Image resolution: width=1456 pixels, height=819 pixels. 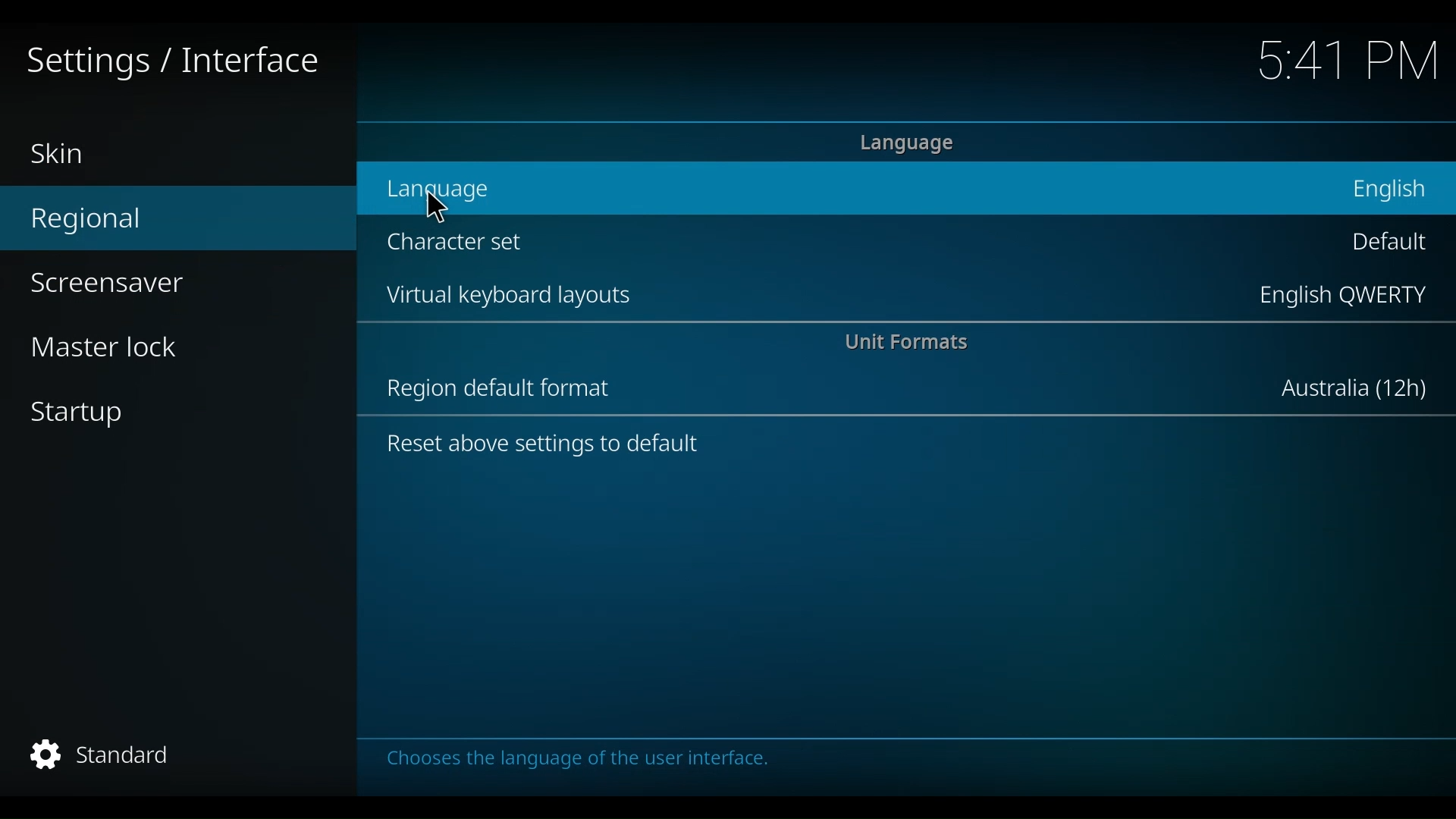 I want to click on Regional, so click(x=111, y=222).